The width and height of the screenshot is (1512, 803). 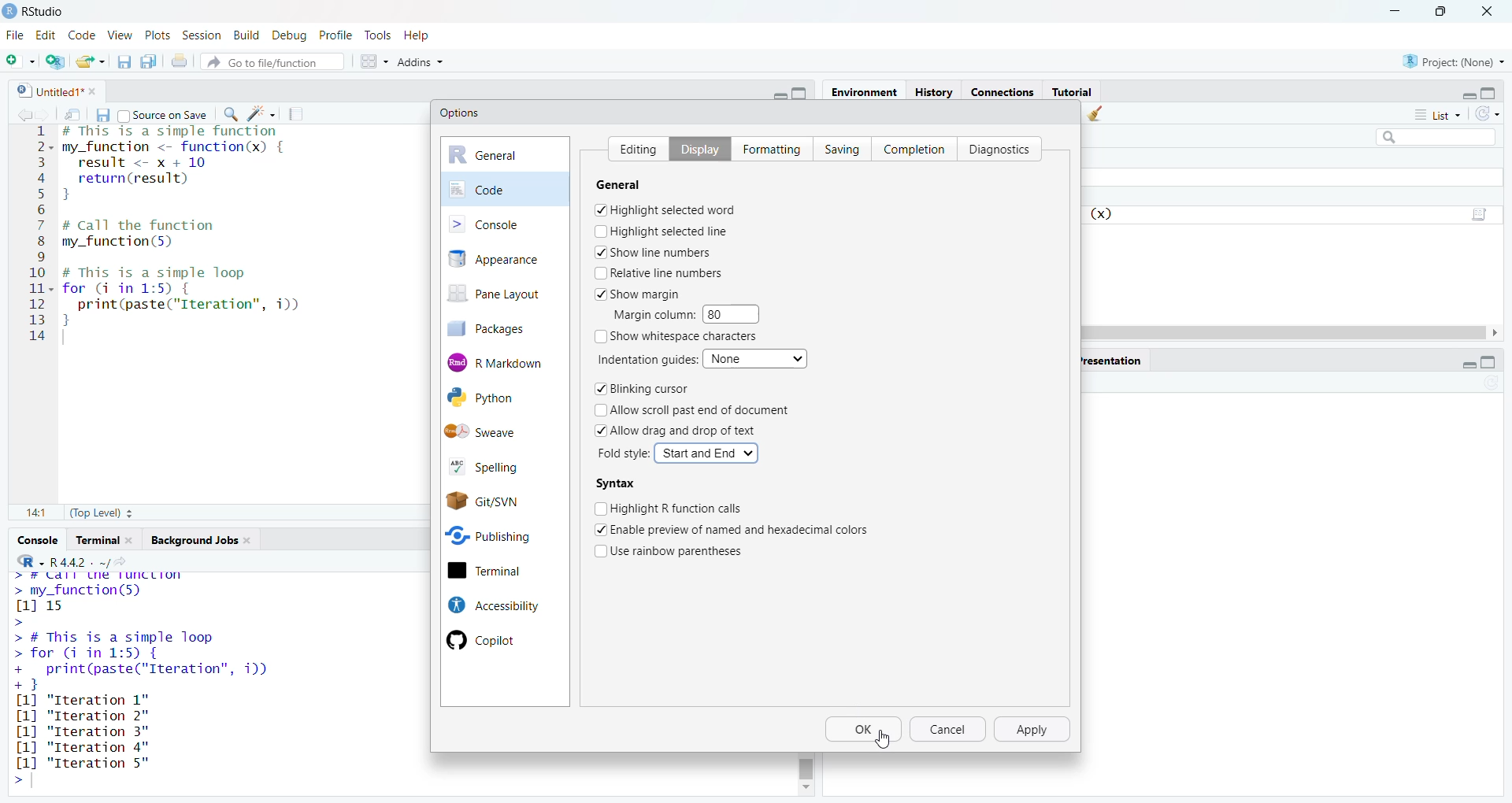 What do you see at coordinates (1464, 92) in the screenshot?
I see `minimize` at bounding box center [1464, 92].